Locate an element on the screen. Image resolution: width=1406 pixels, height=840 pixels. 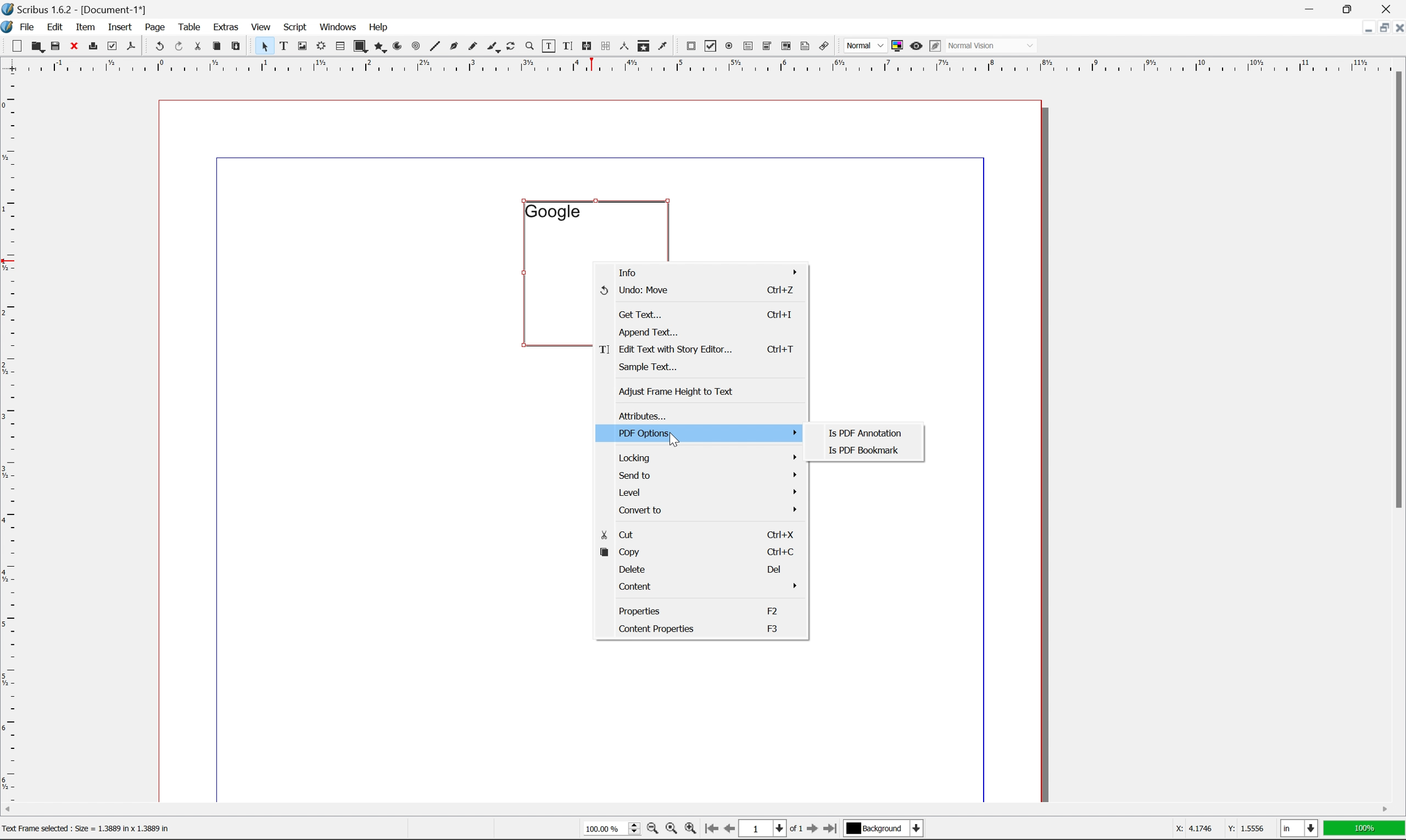
paste is located at coordinates (237, 46).